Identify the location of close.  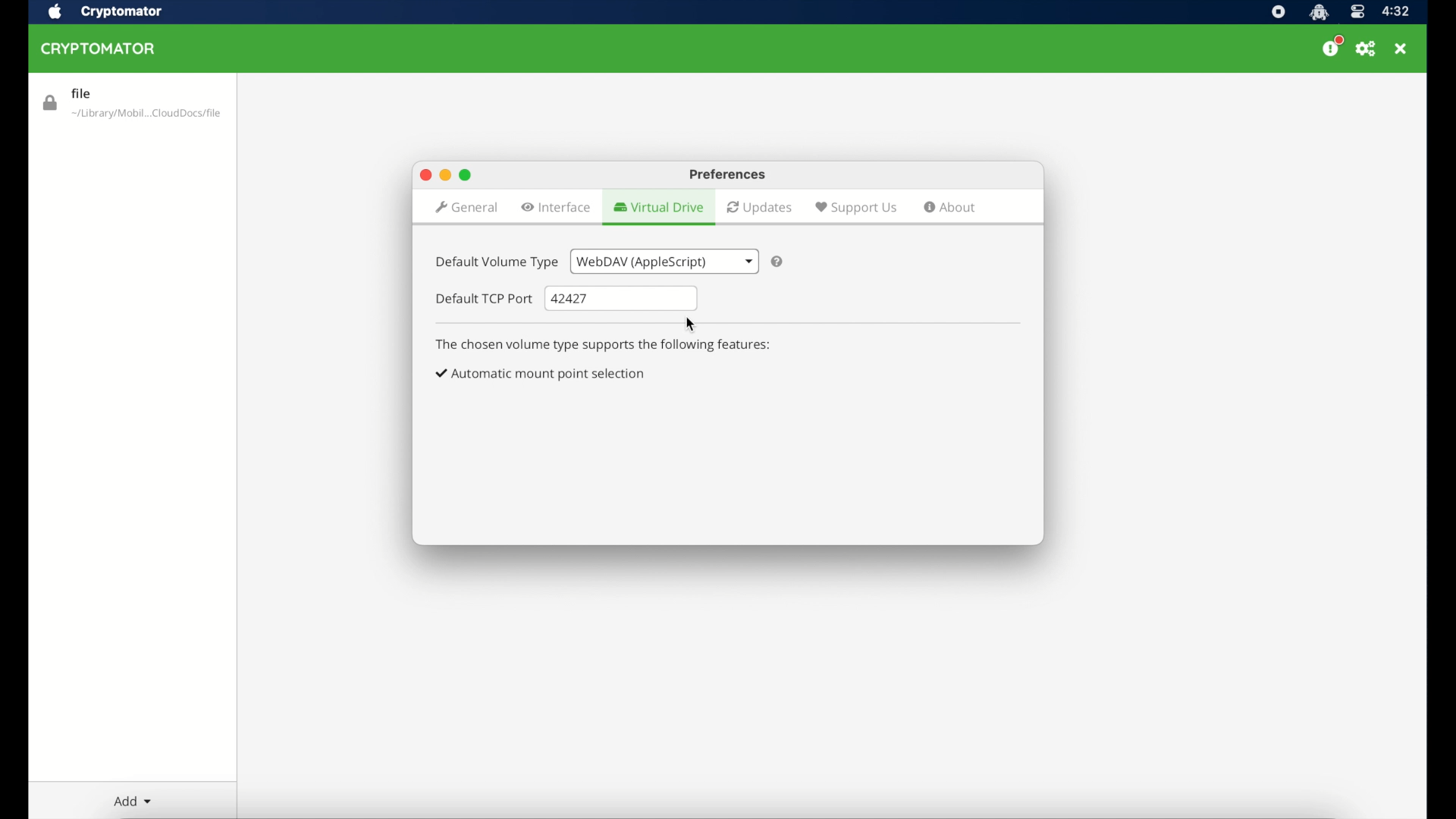
(425, 176).